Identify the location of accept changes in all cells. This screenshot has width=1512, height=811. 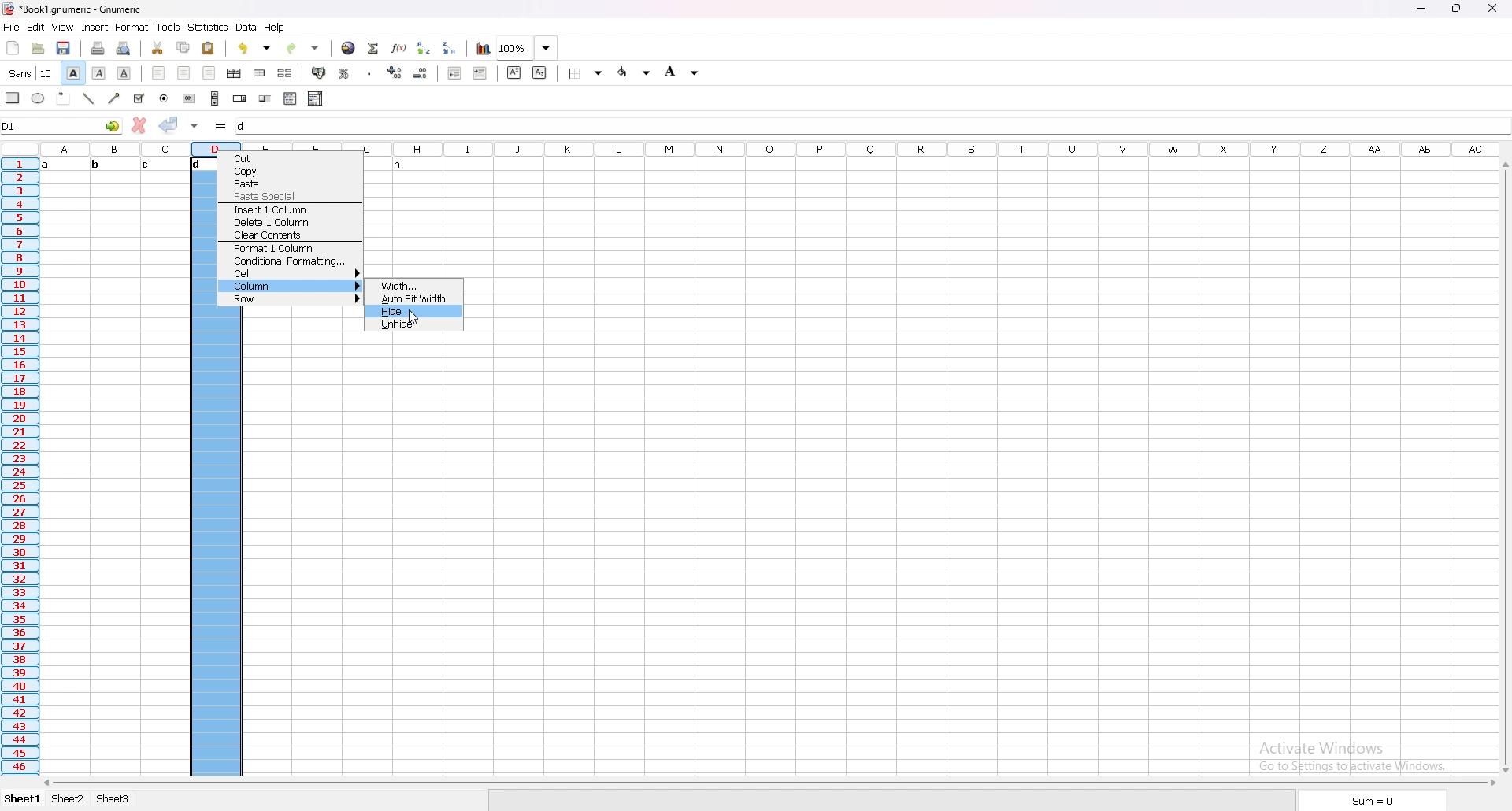
(196, 127).